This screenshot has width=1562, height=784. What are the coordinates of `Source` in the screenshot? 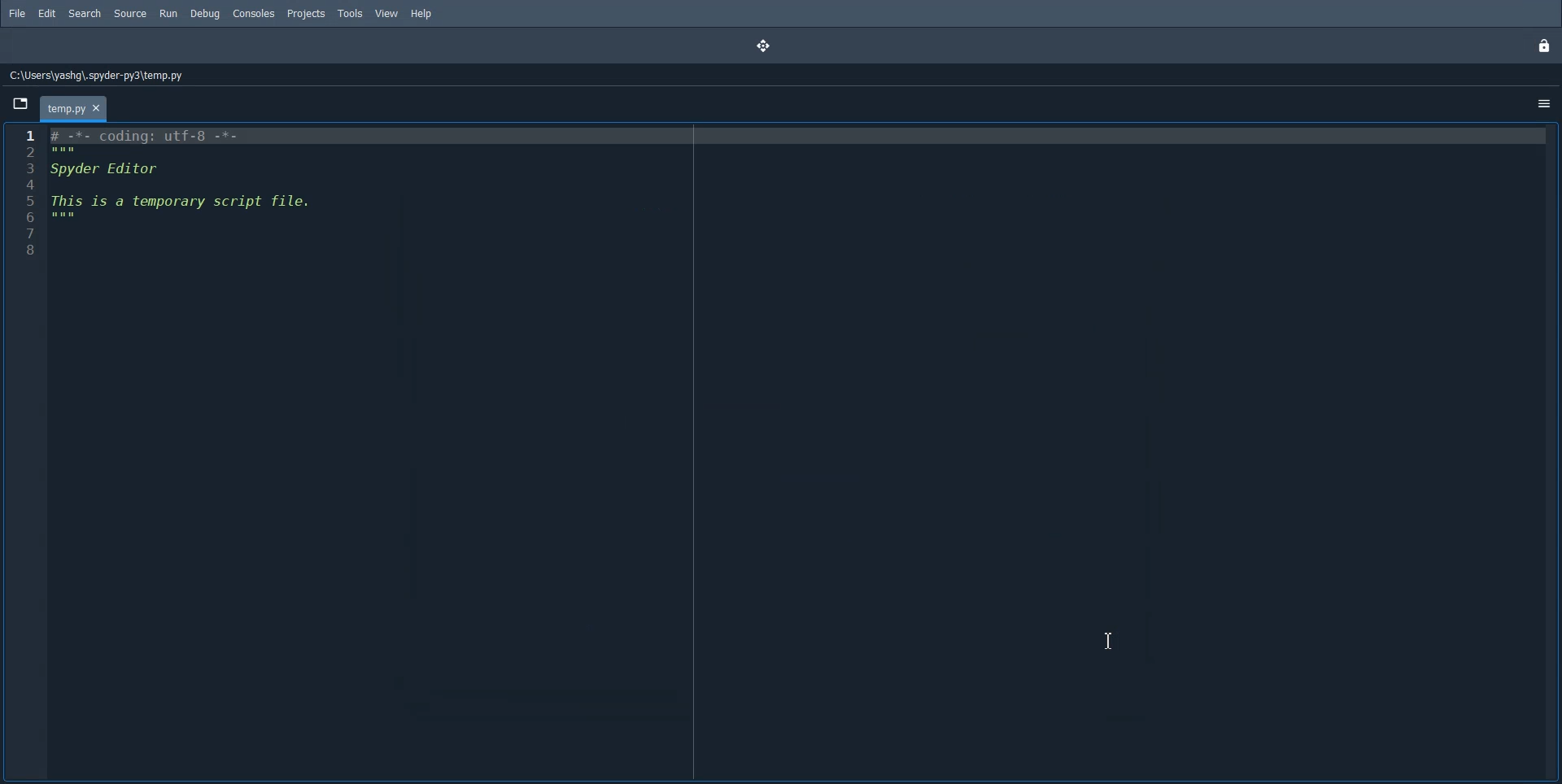 It's located at (129, 14).